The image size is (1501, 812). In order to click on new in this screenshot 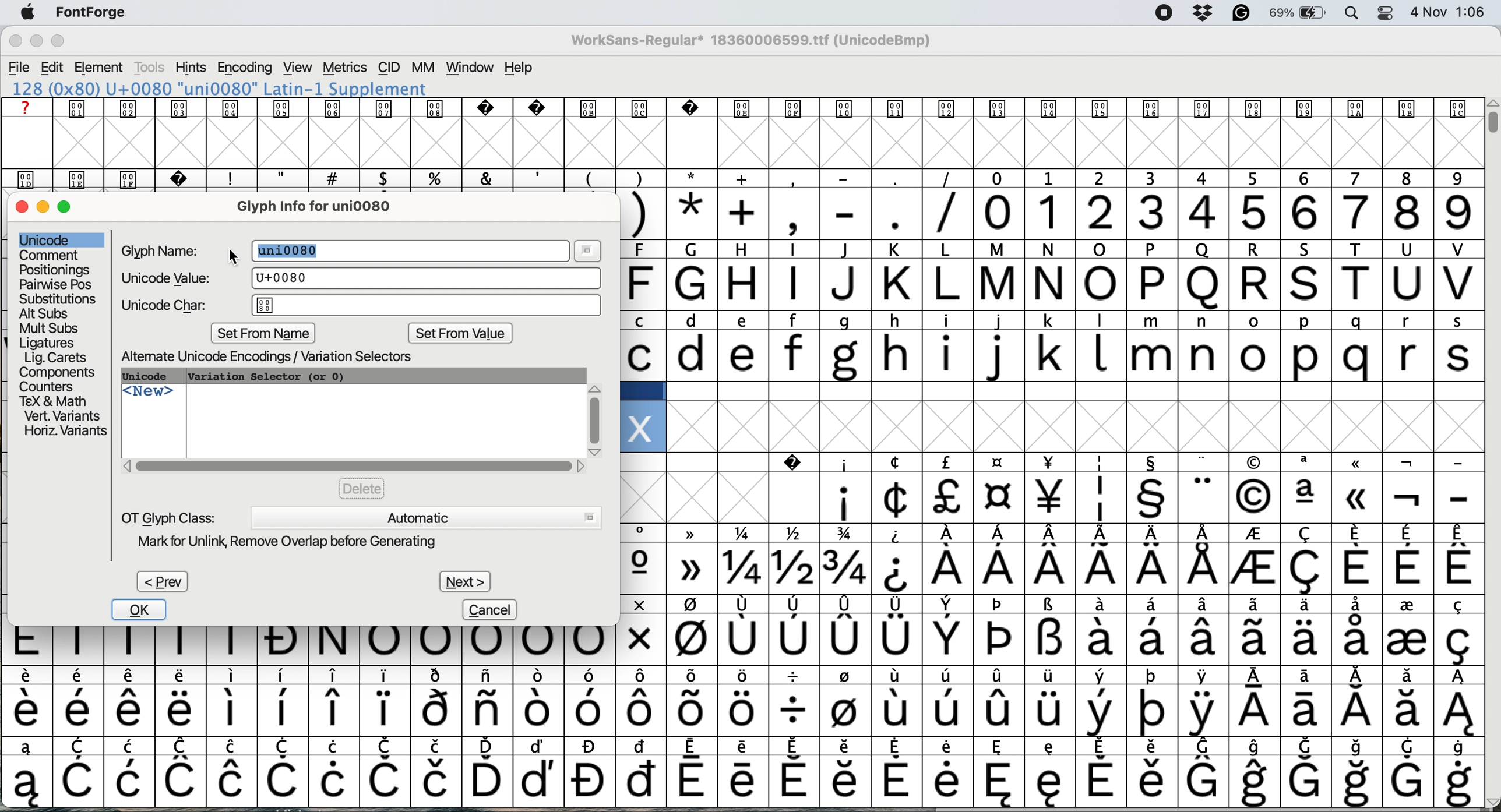, I will do `click(149, 395)`.